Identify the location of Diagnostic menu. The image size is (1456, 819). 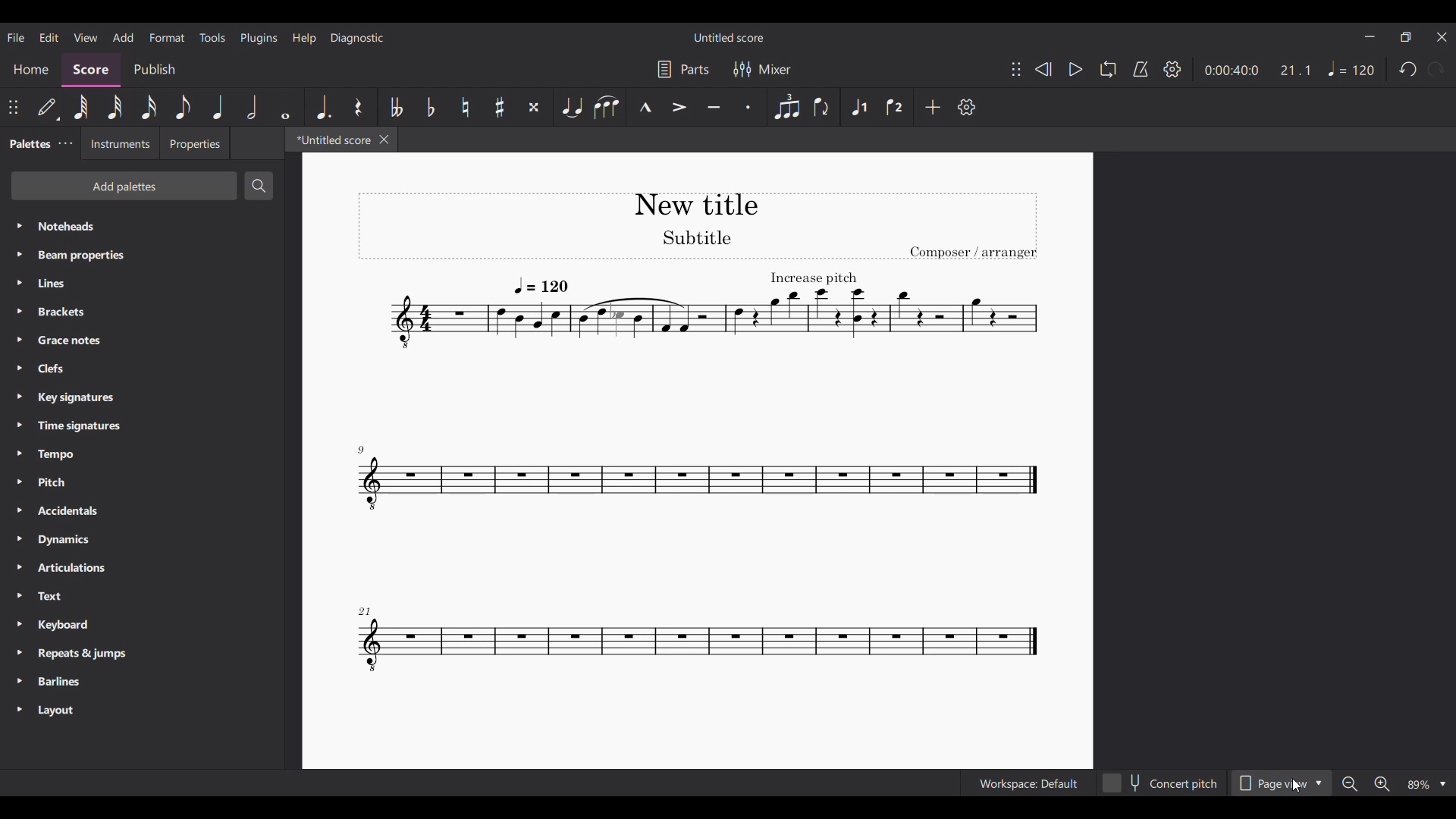
(356, 39).